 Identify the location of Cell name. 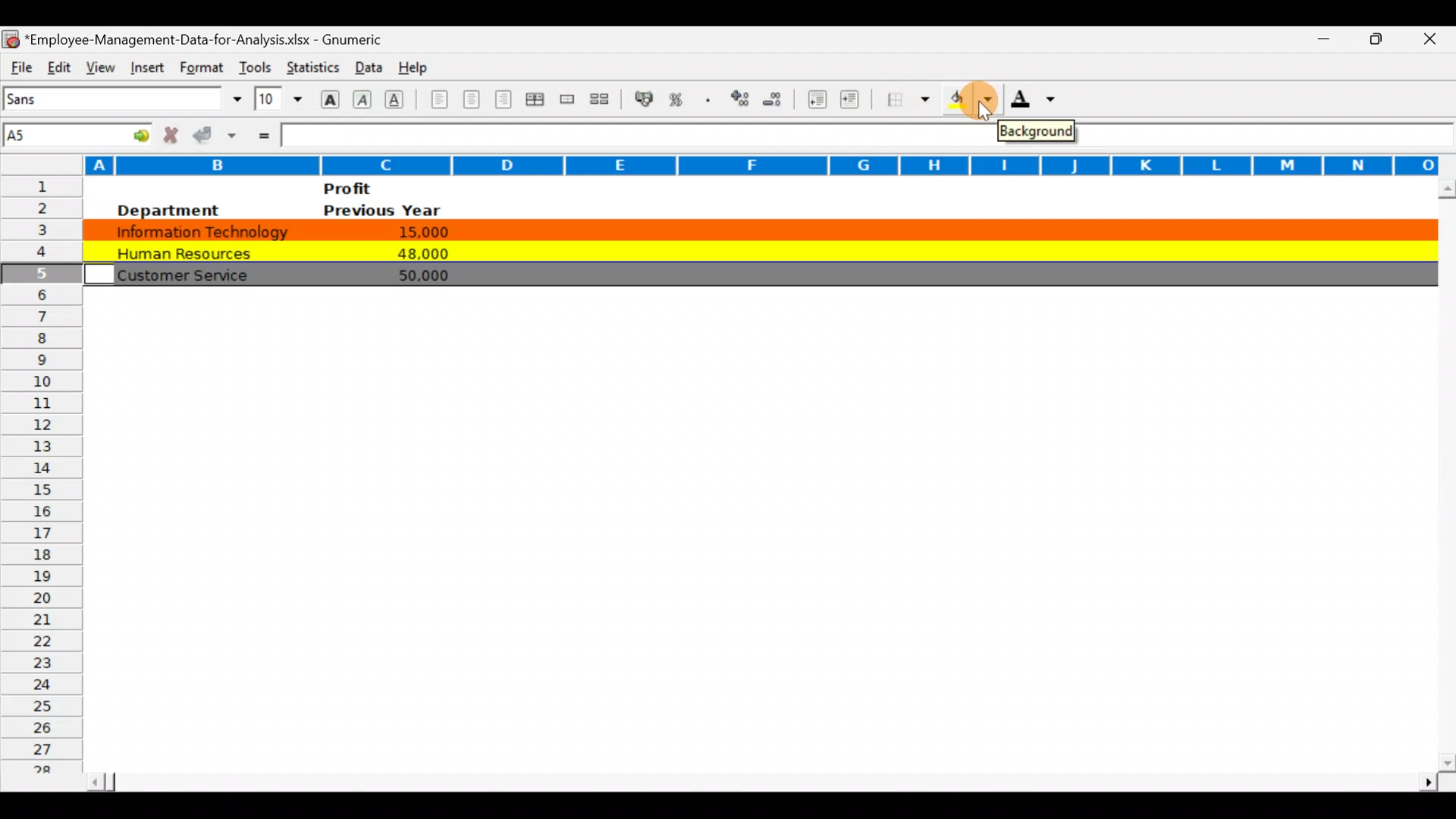
(79, 131).